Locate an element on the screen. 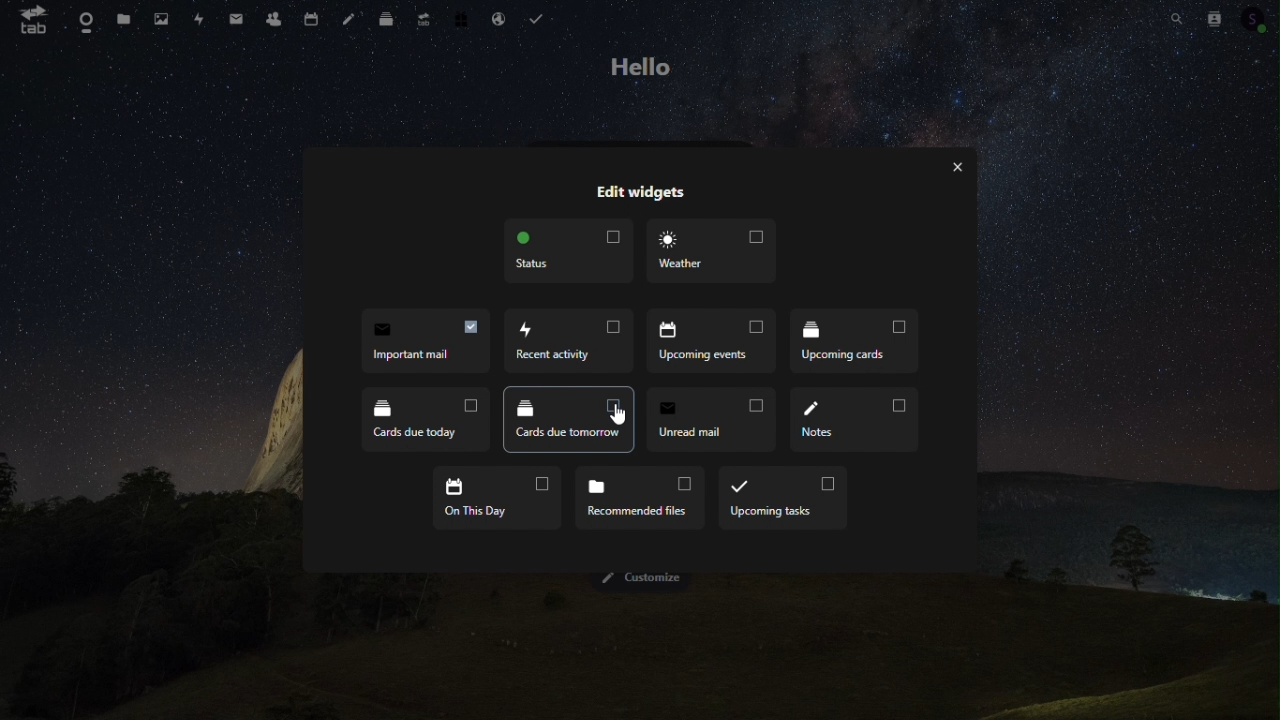  status is located at coordinates (571, 254).